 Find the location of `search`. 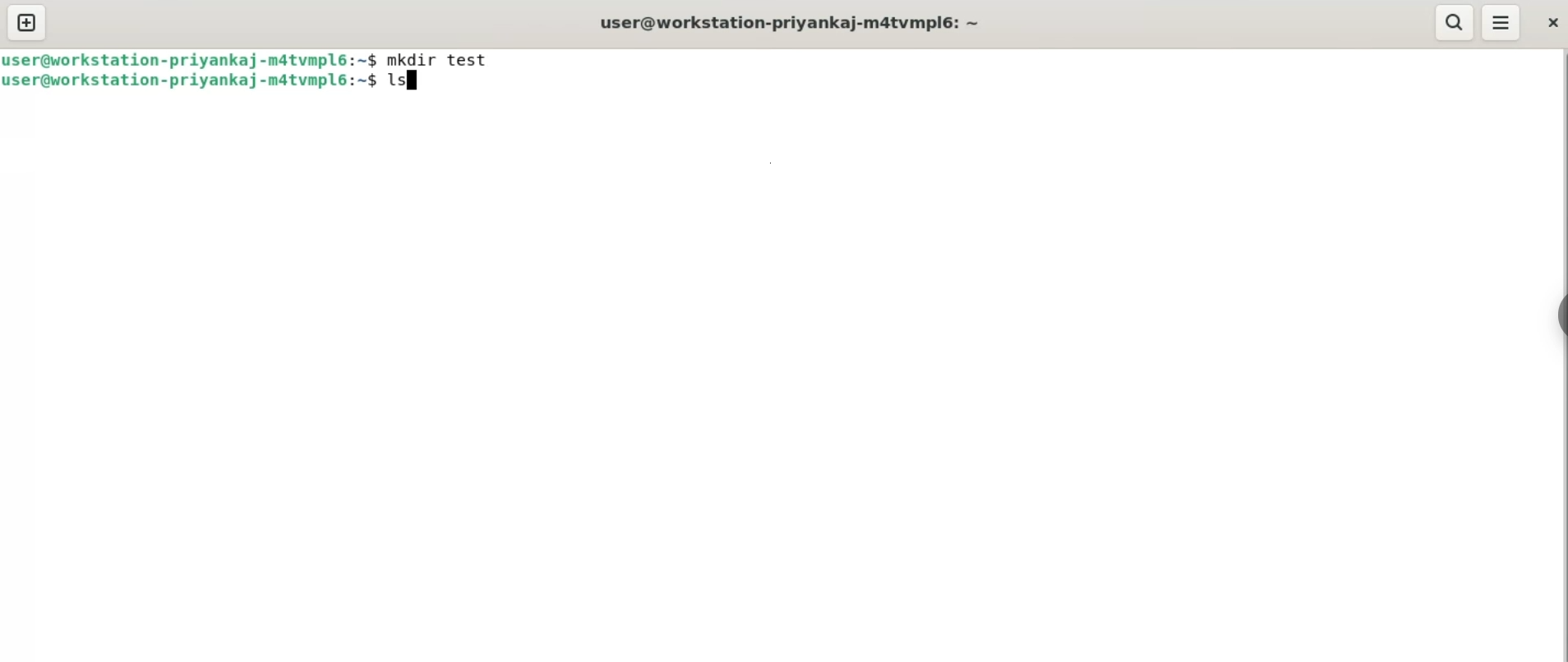

search is located at coordinates (1455, 22).